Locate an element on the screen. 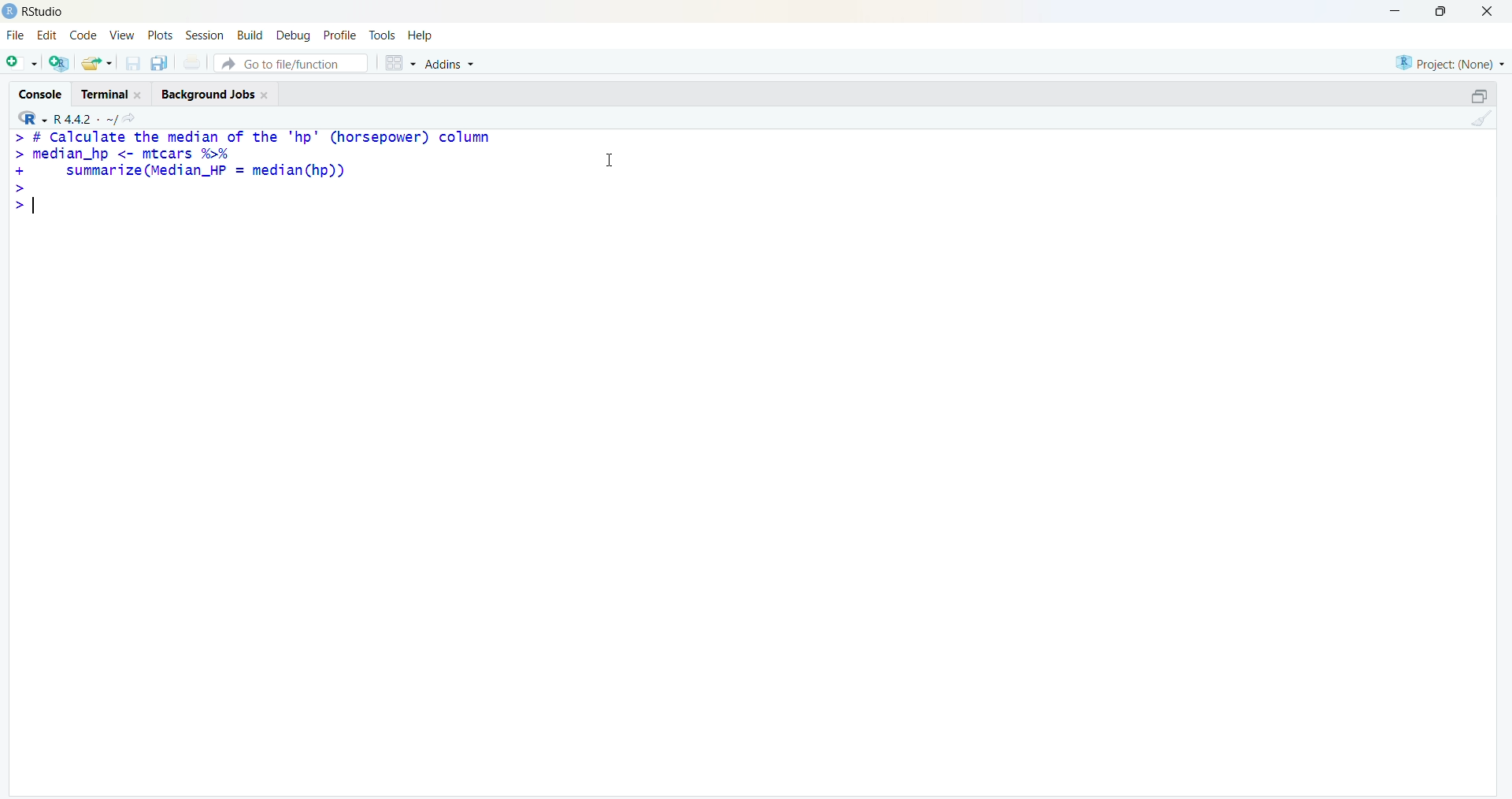 The width and height of the screenshot is (1512, 799). R is located at coordinates (31, 117).